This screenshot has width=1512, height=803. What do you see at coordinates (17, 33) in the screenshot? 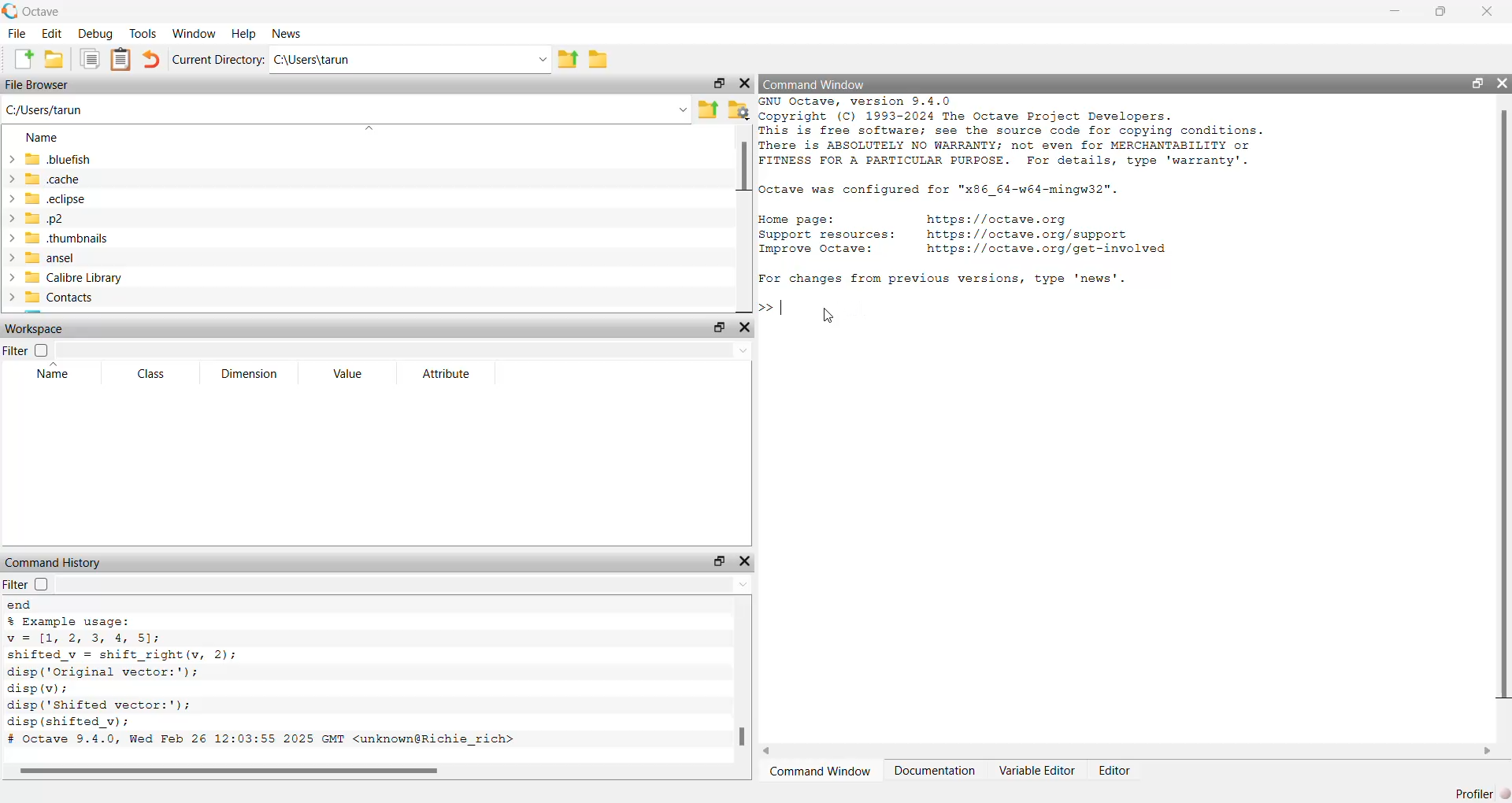
I see `file` at bounding box center [17, 33].